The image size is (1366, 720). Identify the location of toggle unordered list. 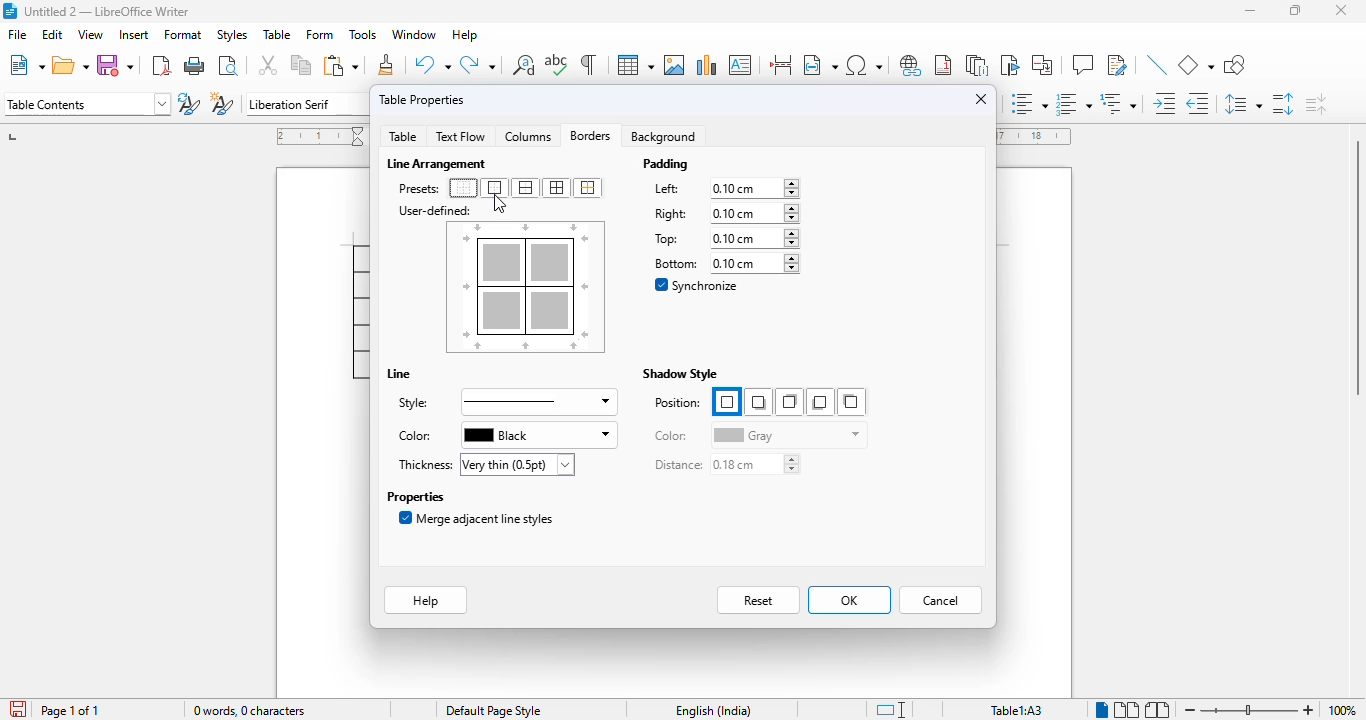
(1030, 103).